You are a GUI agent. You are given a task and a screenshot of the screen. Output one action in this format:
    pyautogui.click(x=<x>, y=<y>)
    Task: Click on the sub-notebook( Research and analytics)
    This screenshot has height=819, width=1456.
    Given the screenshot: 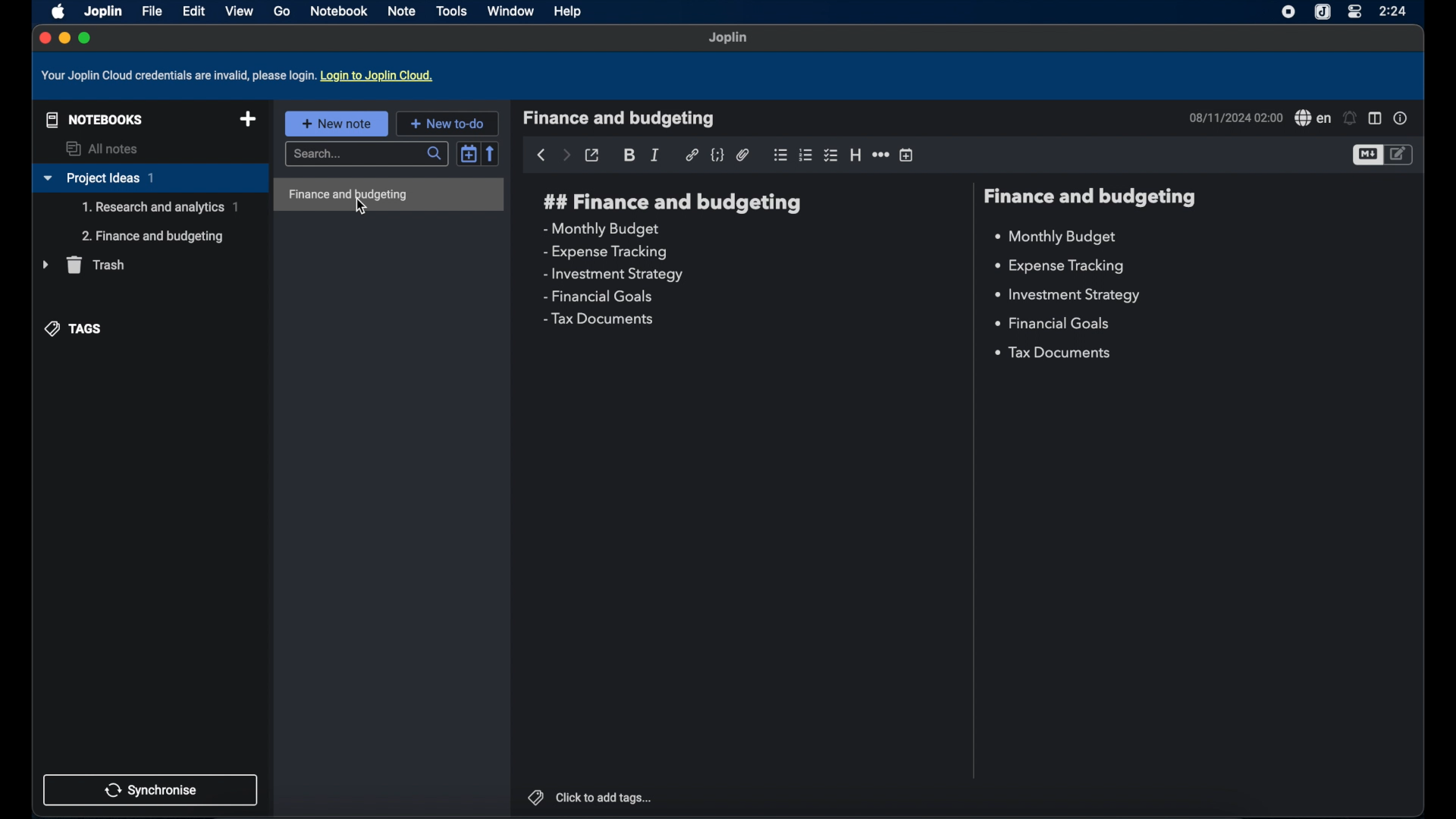 What is the action you would take?
    pyautogui.click(x=160, y=207)
    